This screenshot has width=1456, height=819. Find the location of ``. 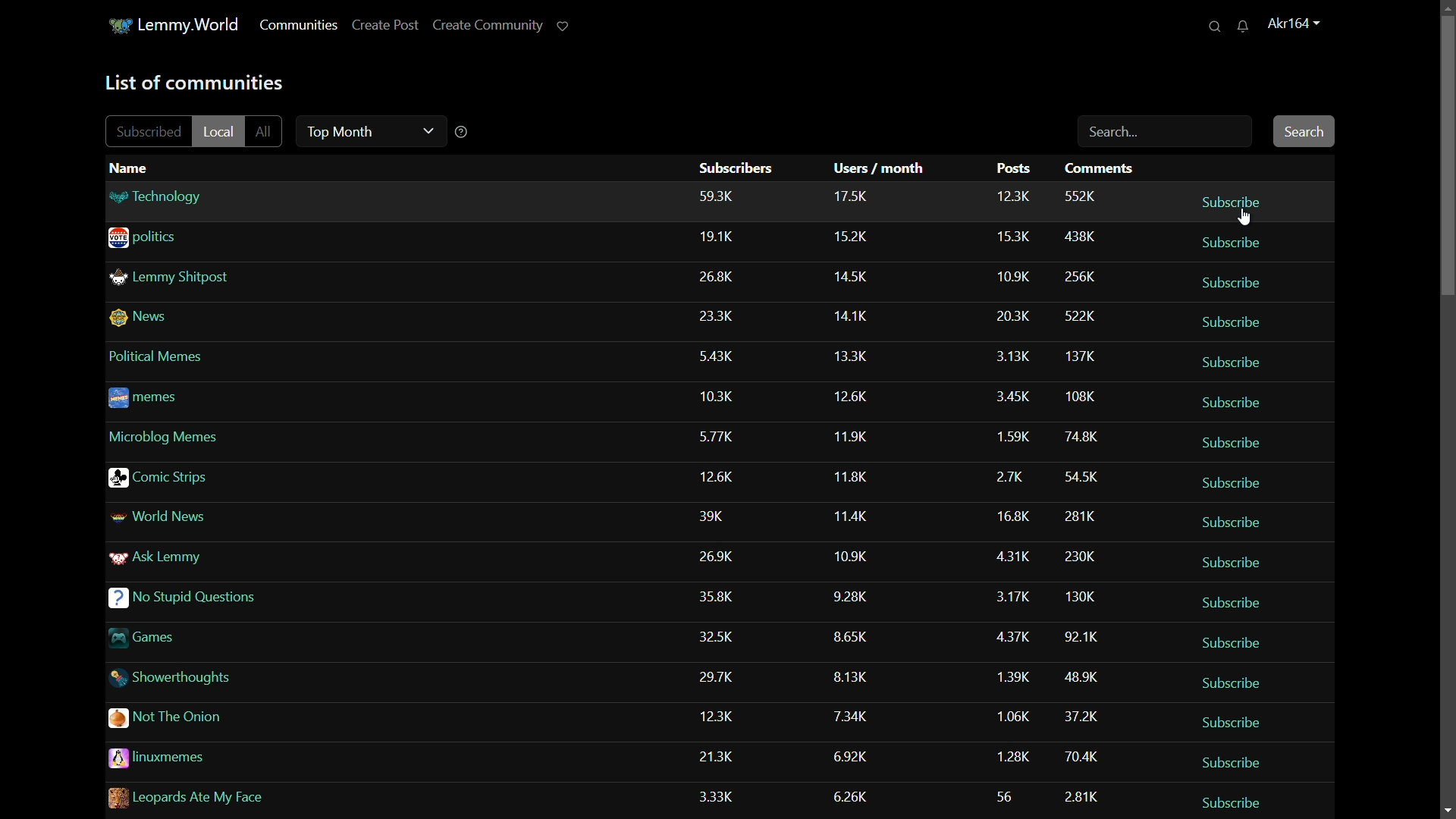

 is located at coordinates (723, 595).